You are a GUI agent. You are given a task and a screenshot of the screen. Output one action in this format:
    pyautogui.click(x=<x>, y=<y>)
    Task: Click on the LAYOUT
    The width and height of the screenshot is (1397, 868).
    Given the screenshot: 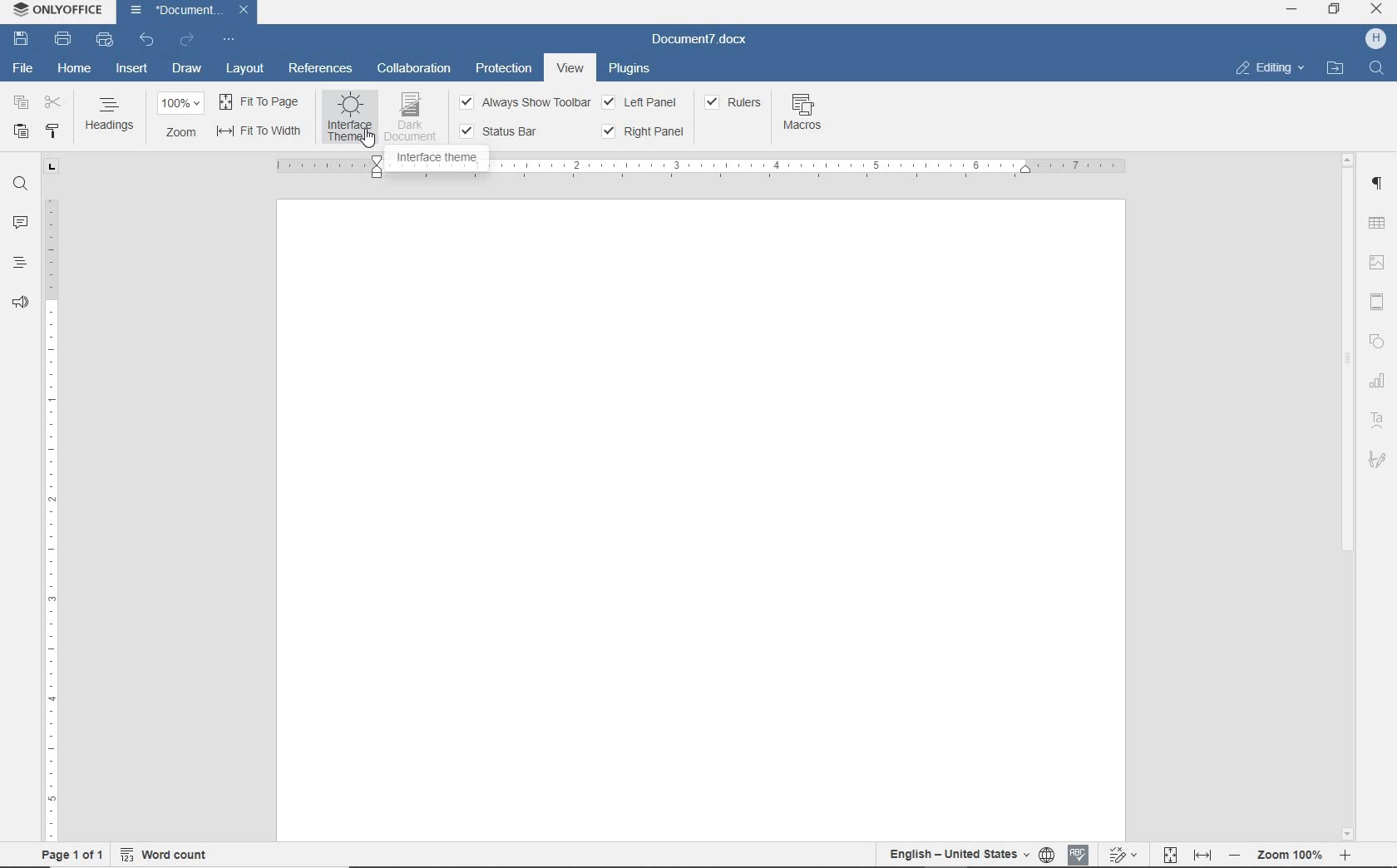 What is the action you would take?
    pyautogui.click(x=246, y=70)
    